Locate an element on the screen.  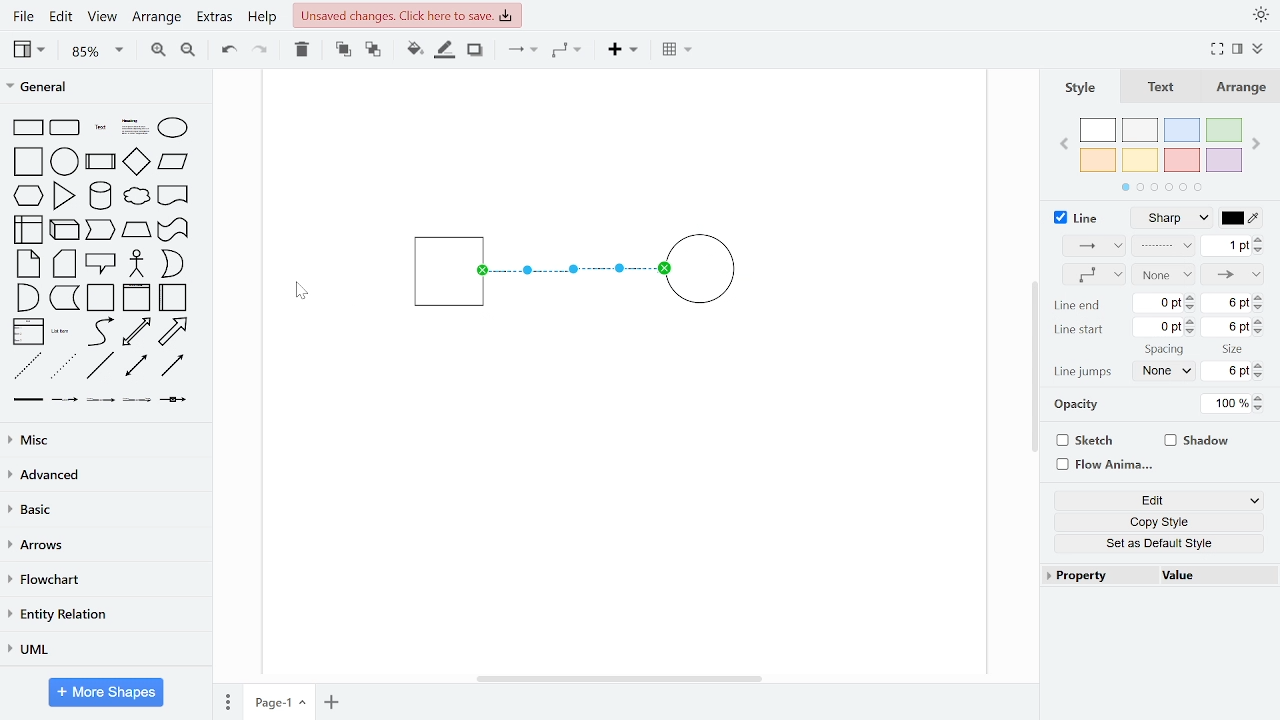
line jumps is located at coordinates (1084, 372).